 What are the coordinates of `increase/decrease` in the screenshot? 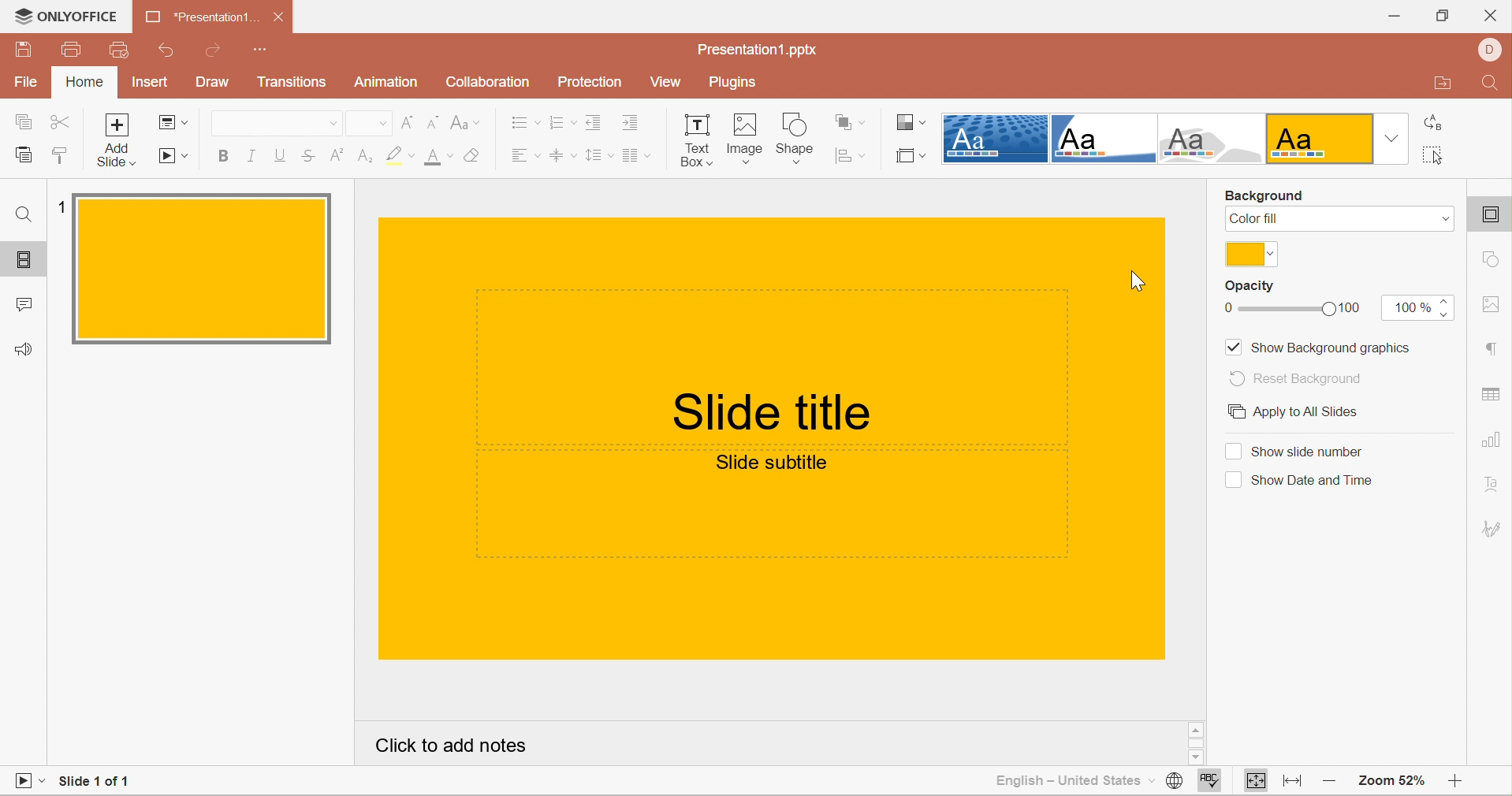 It's located at (1443, 308).